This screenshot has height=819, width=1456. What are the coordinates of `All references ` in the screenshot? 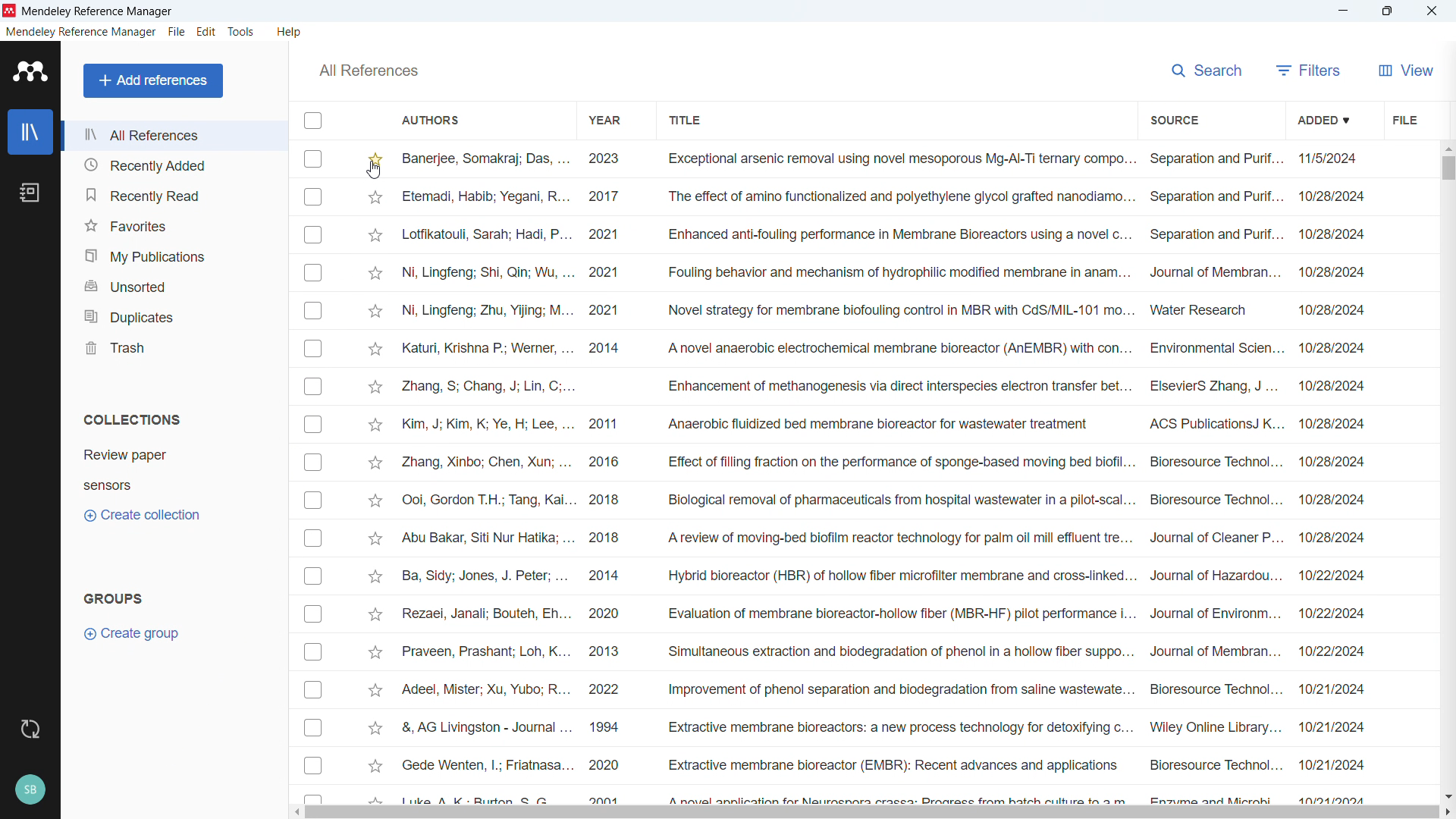 It's located at (174, 136).